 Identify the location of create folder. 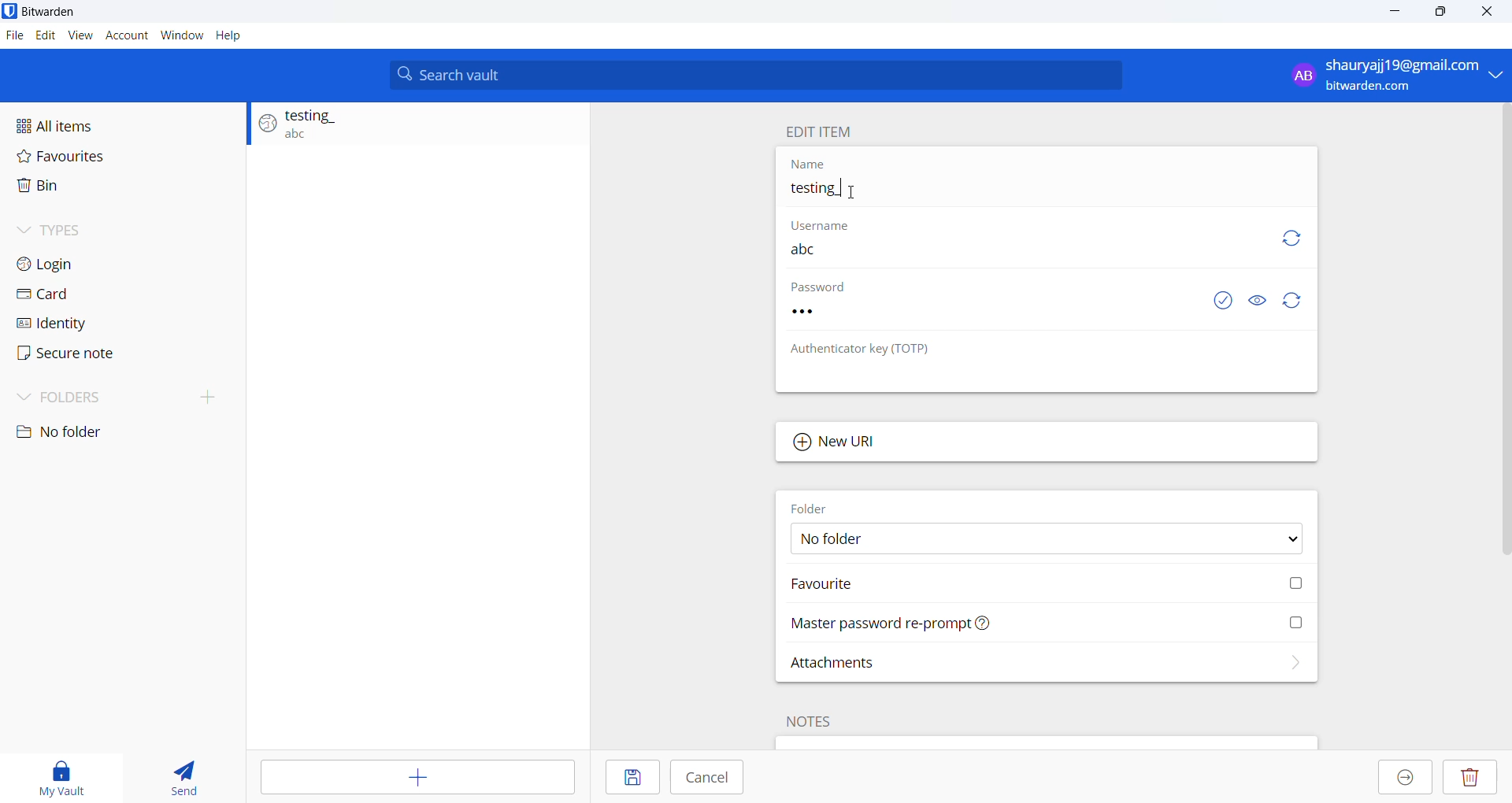
(214, 396).